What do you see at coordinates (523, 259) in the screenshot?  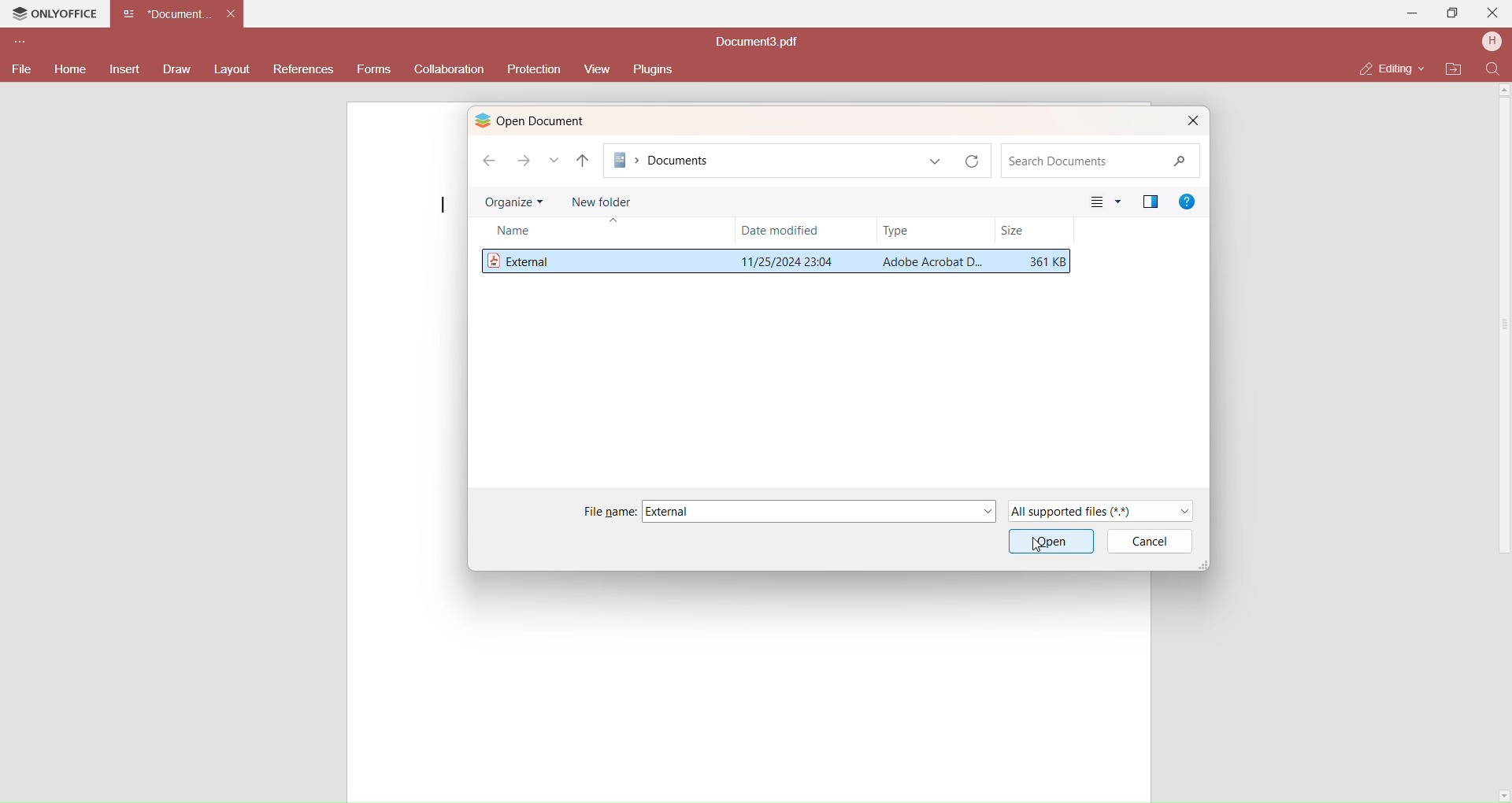 I see `File Name` at bounding box center [523, 259].